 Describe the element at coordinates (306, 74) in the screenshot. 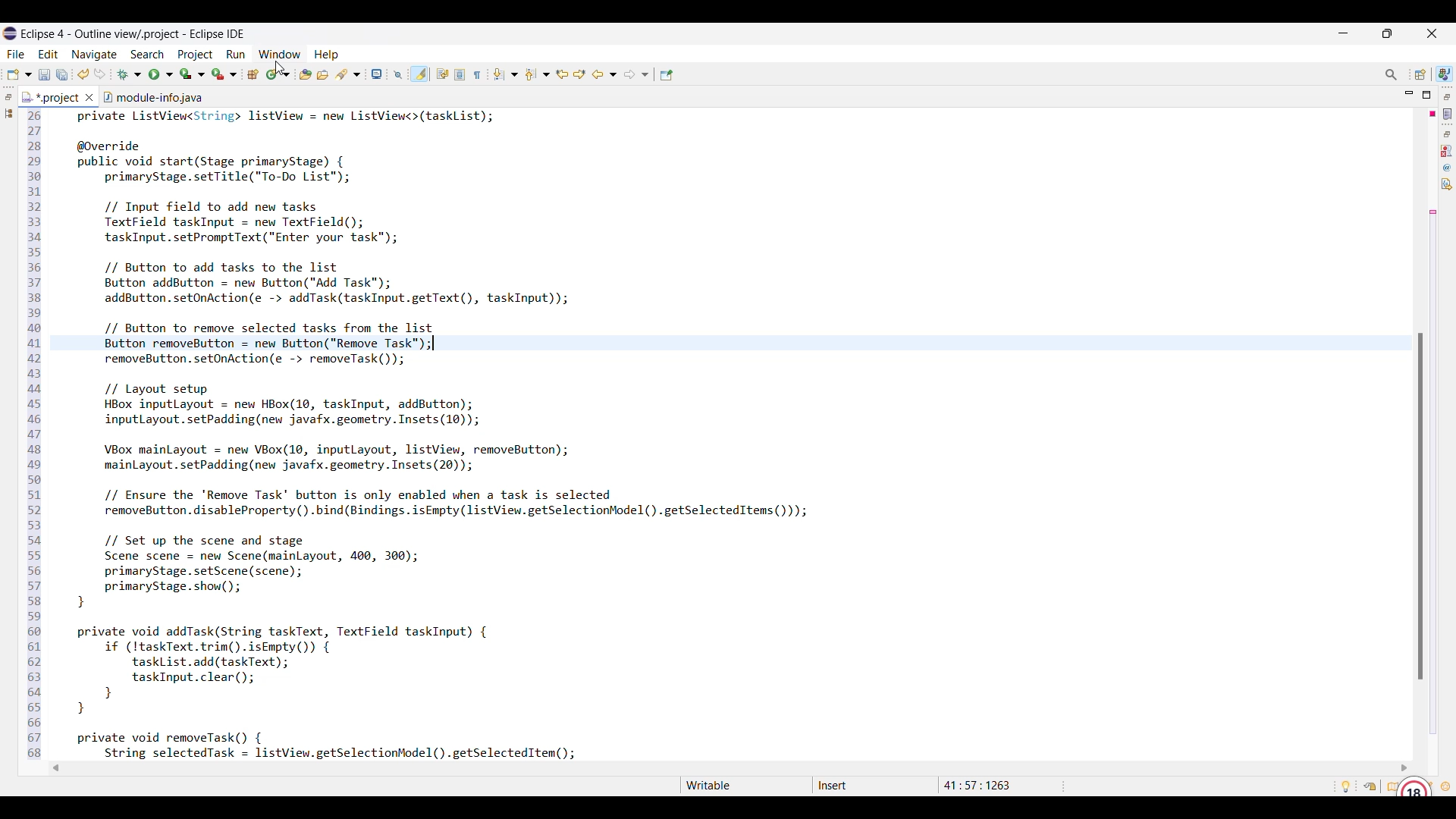

I see `Open type` at that location.